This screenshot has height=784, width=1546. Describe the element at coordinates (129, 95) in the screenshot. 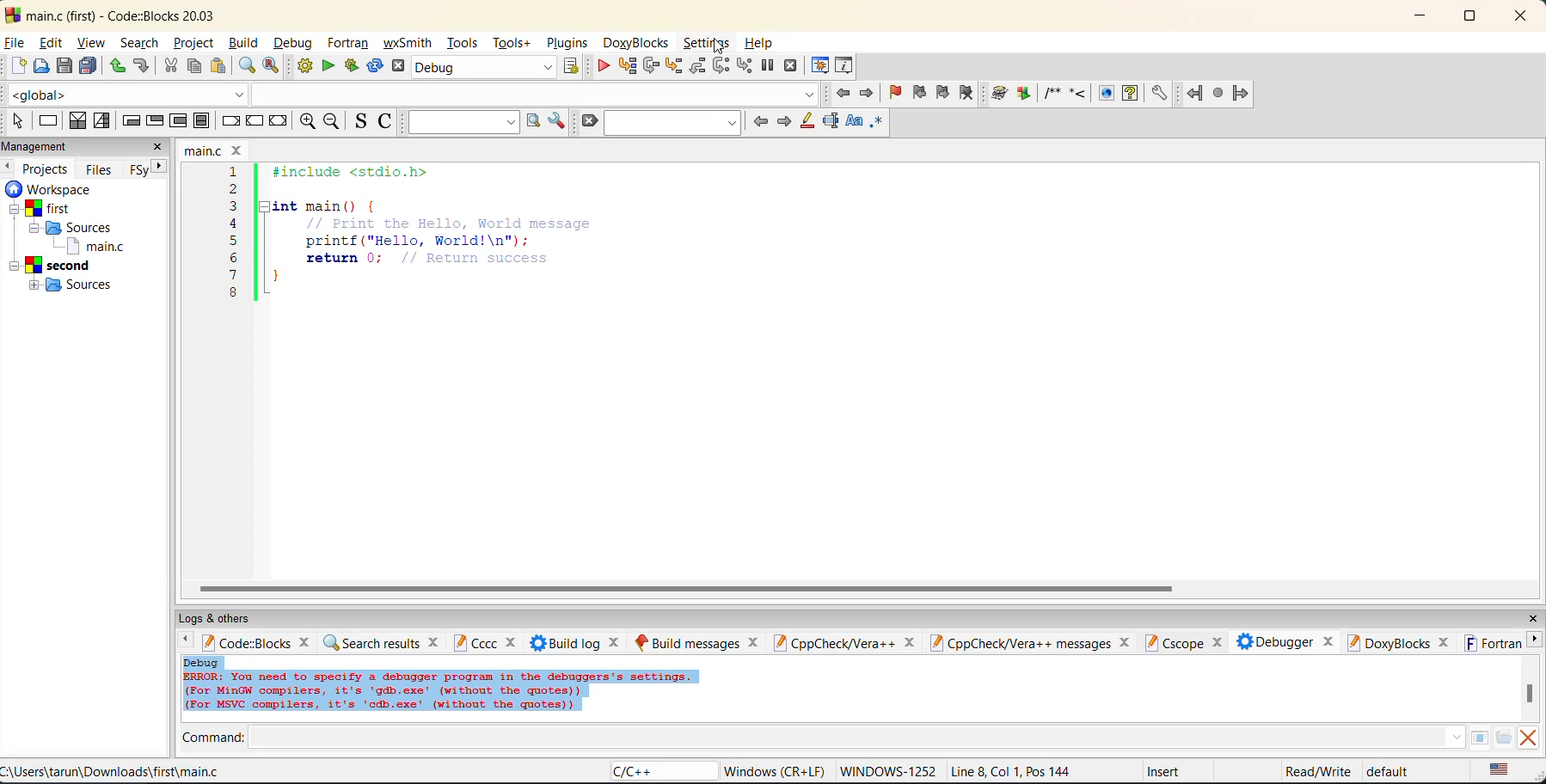

I see `global` at that location.